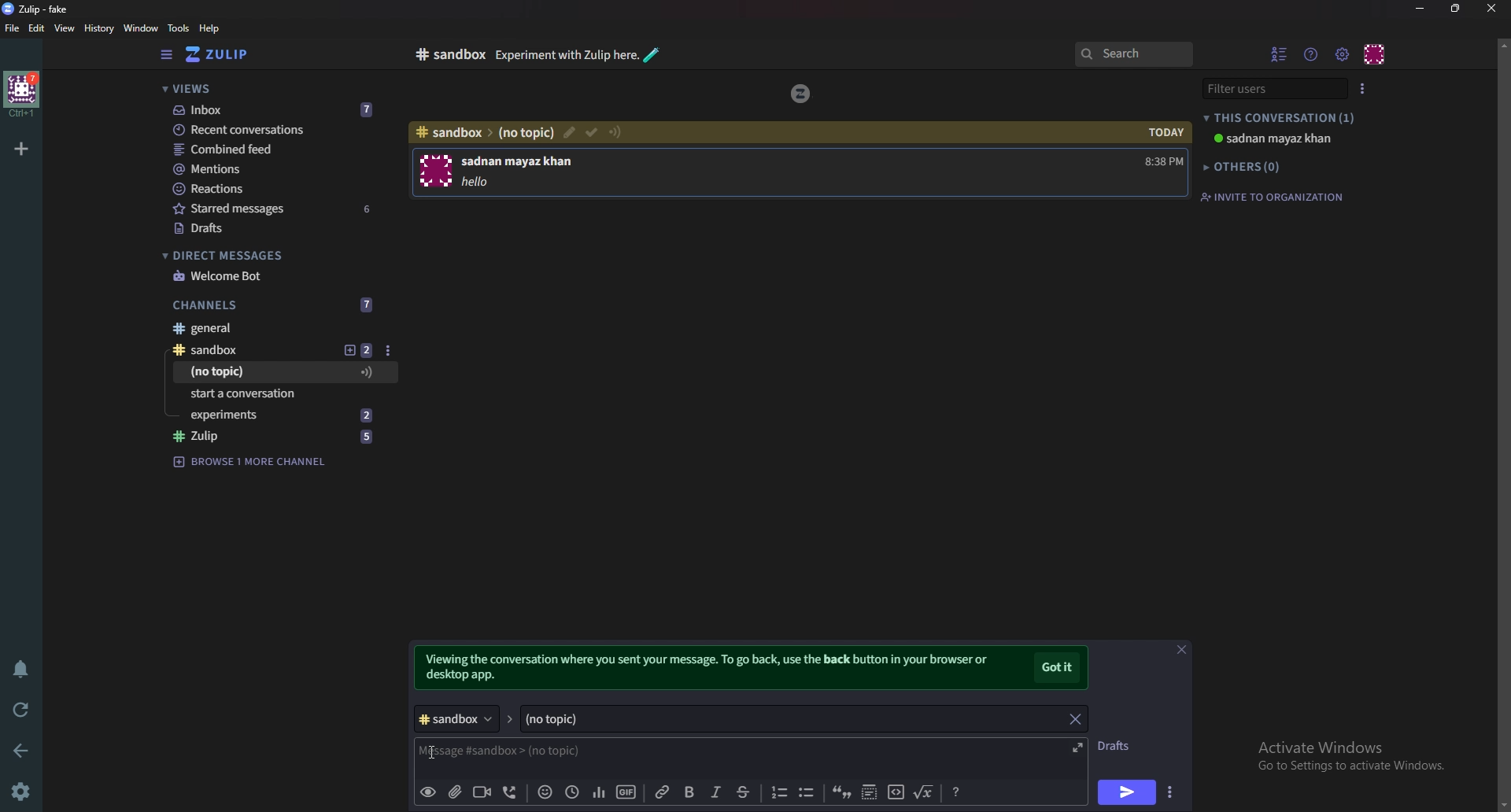 The height and width of the screenshot is (812, 1511). Describe the element at coordinates (1420, 9) in the screenshot. I see `Minimize` at that location.